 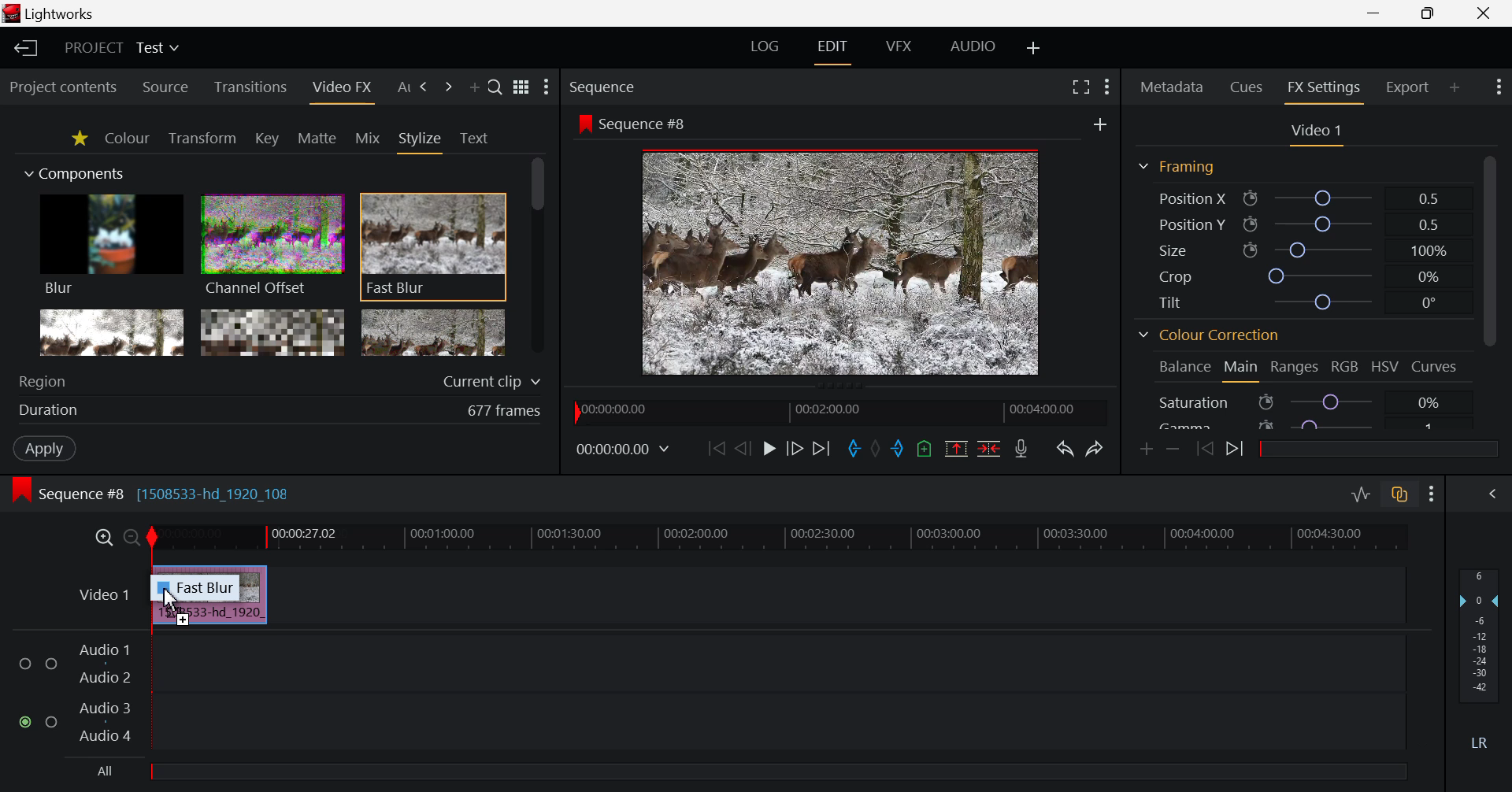 What do you see at coordinates (266, 139) in the screenshot?
I see `Key` at bounding box center [266, 139].